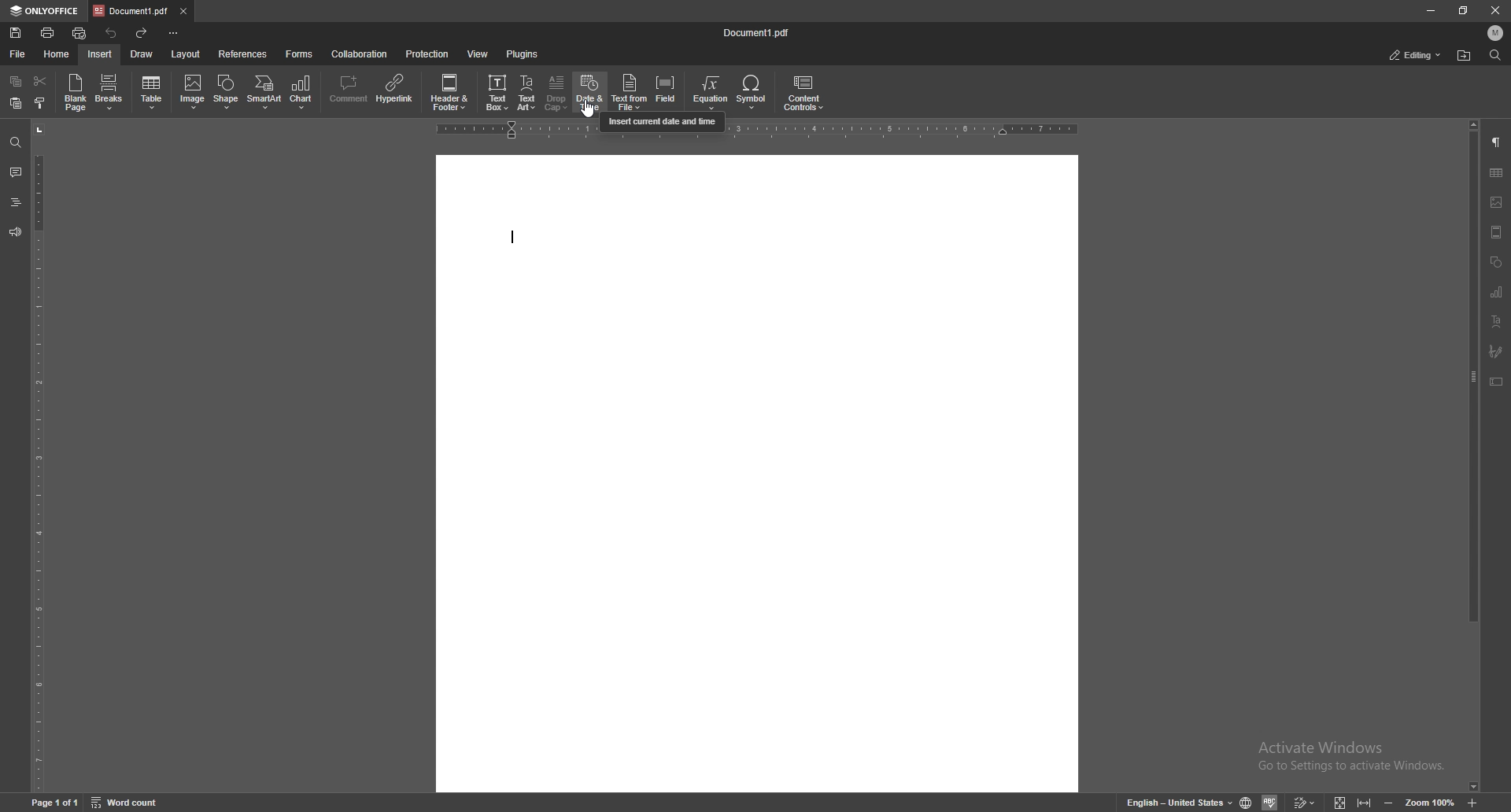 The height and width of the screenshot is (812, 1511). What do you see at coordinates (478, 54) in the screenshot?
I see `view` at bounding box center [478, 54].